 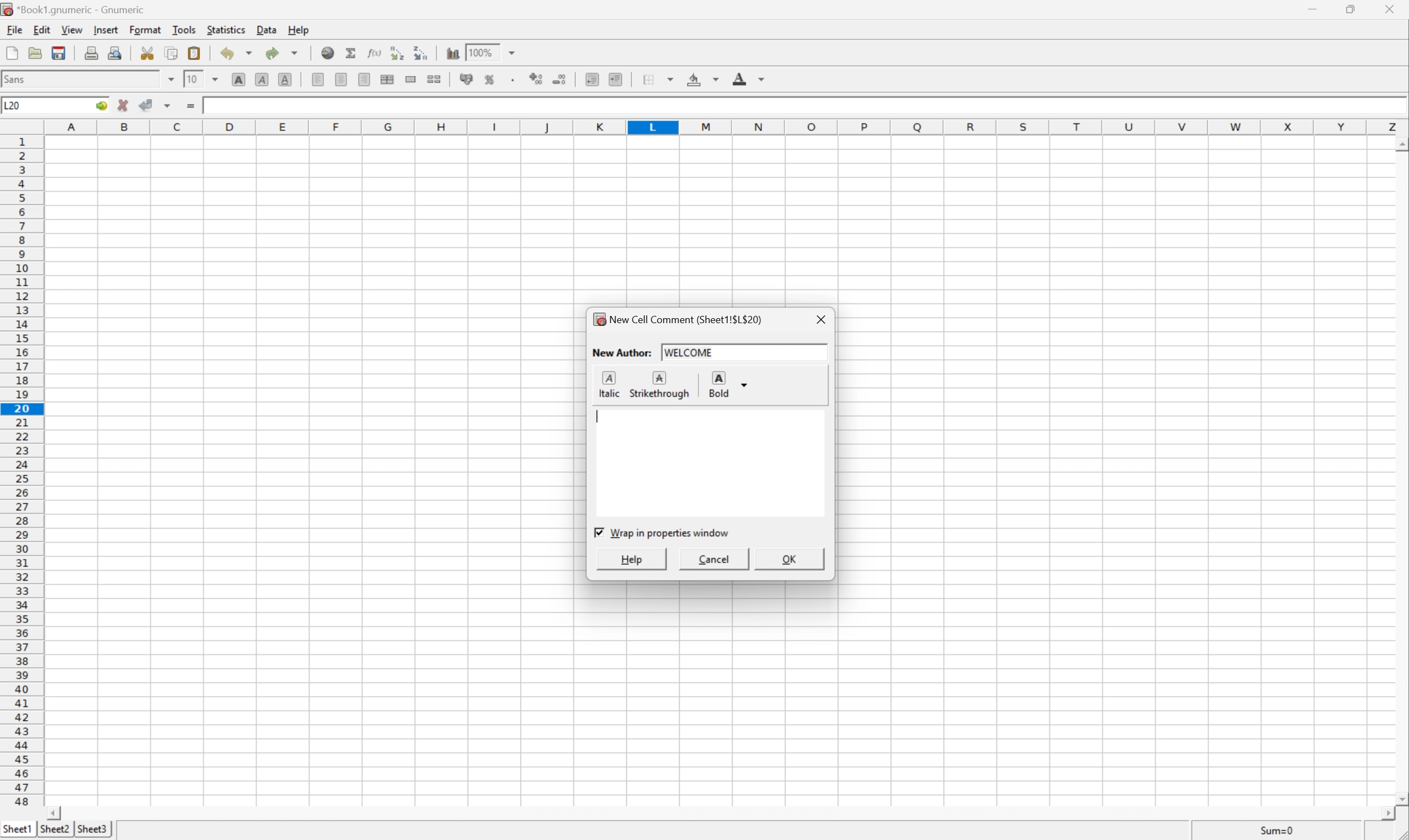 What do you see at coordinates (452, 54) in the screenshot?
I see `Insert a chart` at bounding box center [452, 54].